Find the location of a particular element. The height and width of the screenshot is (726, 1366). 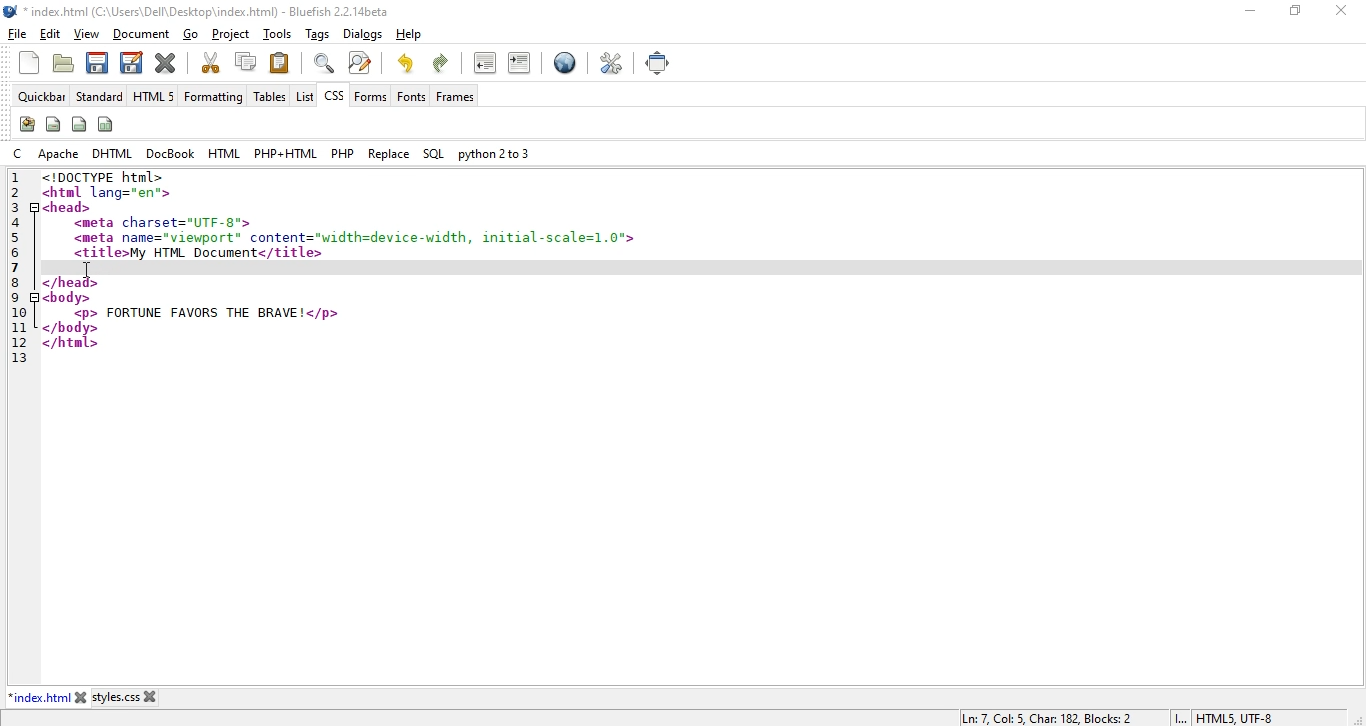

cut is located at coordinates (211, 62).